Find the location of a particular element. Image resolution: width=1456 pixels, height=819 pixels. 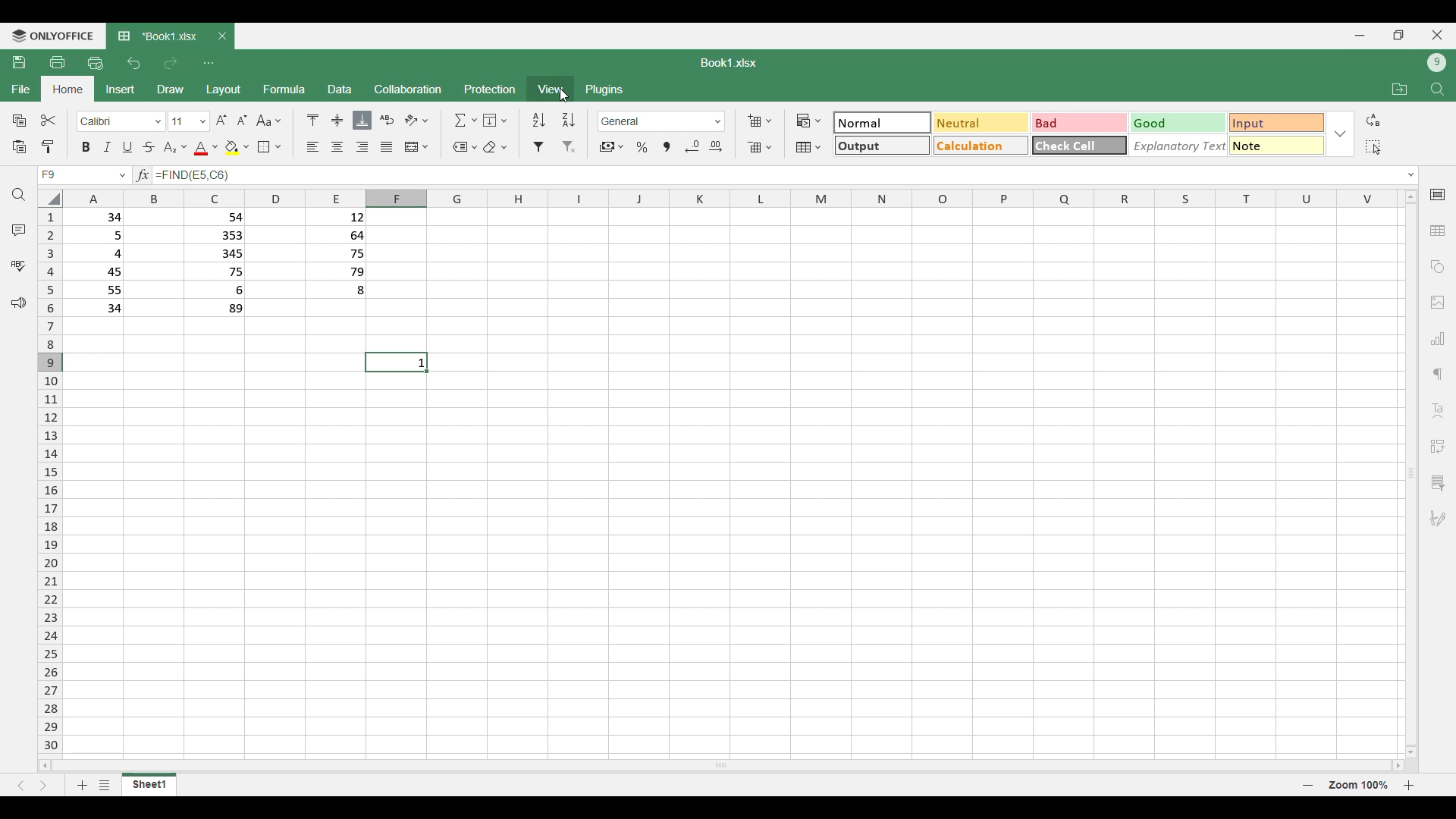

Borders is located at coordinates (269, 147).